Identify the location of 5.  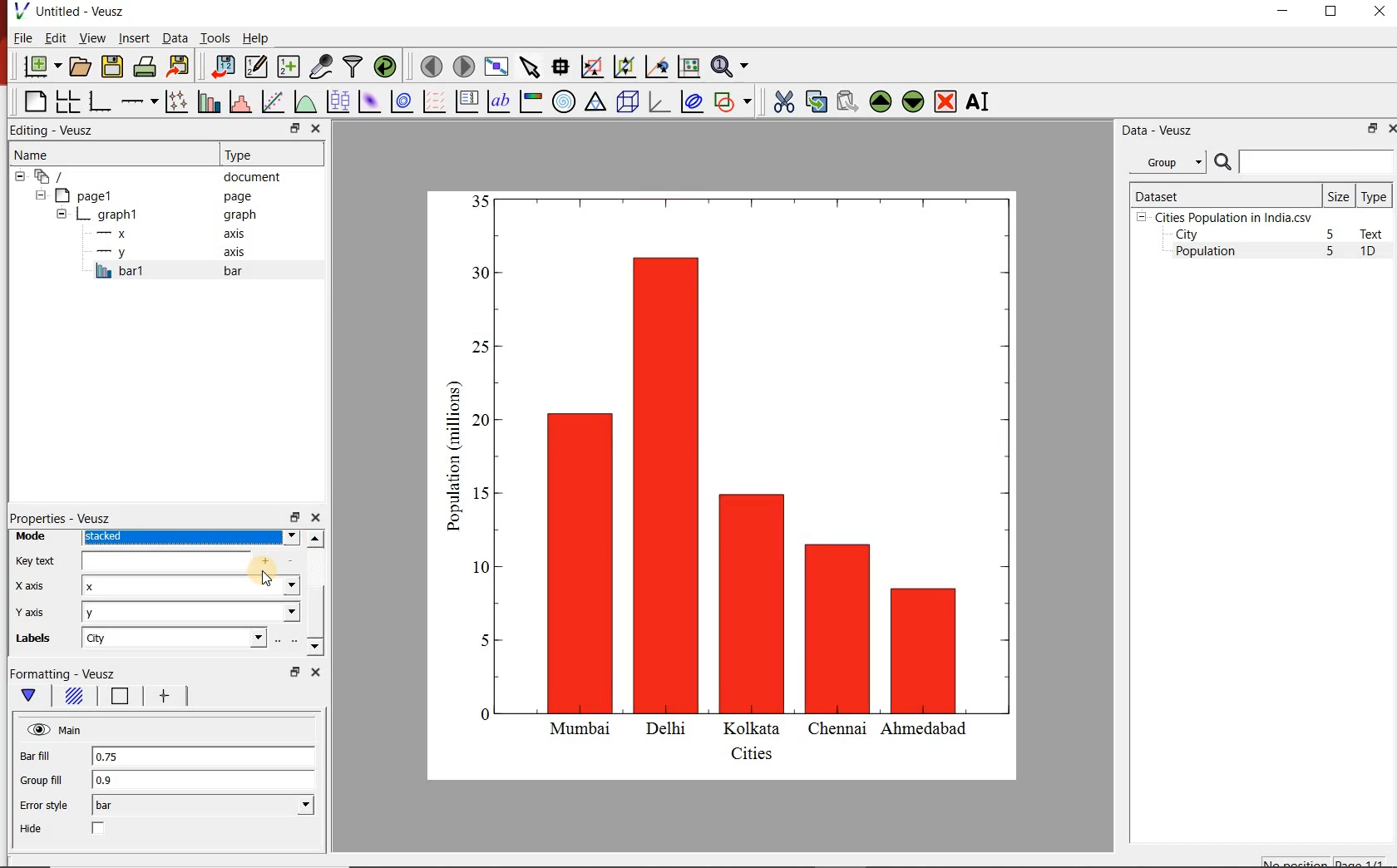
(1331, 235).